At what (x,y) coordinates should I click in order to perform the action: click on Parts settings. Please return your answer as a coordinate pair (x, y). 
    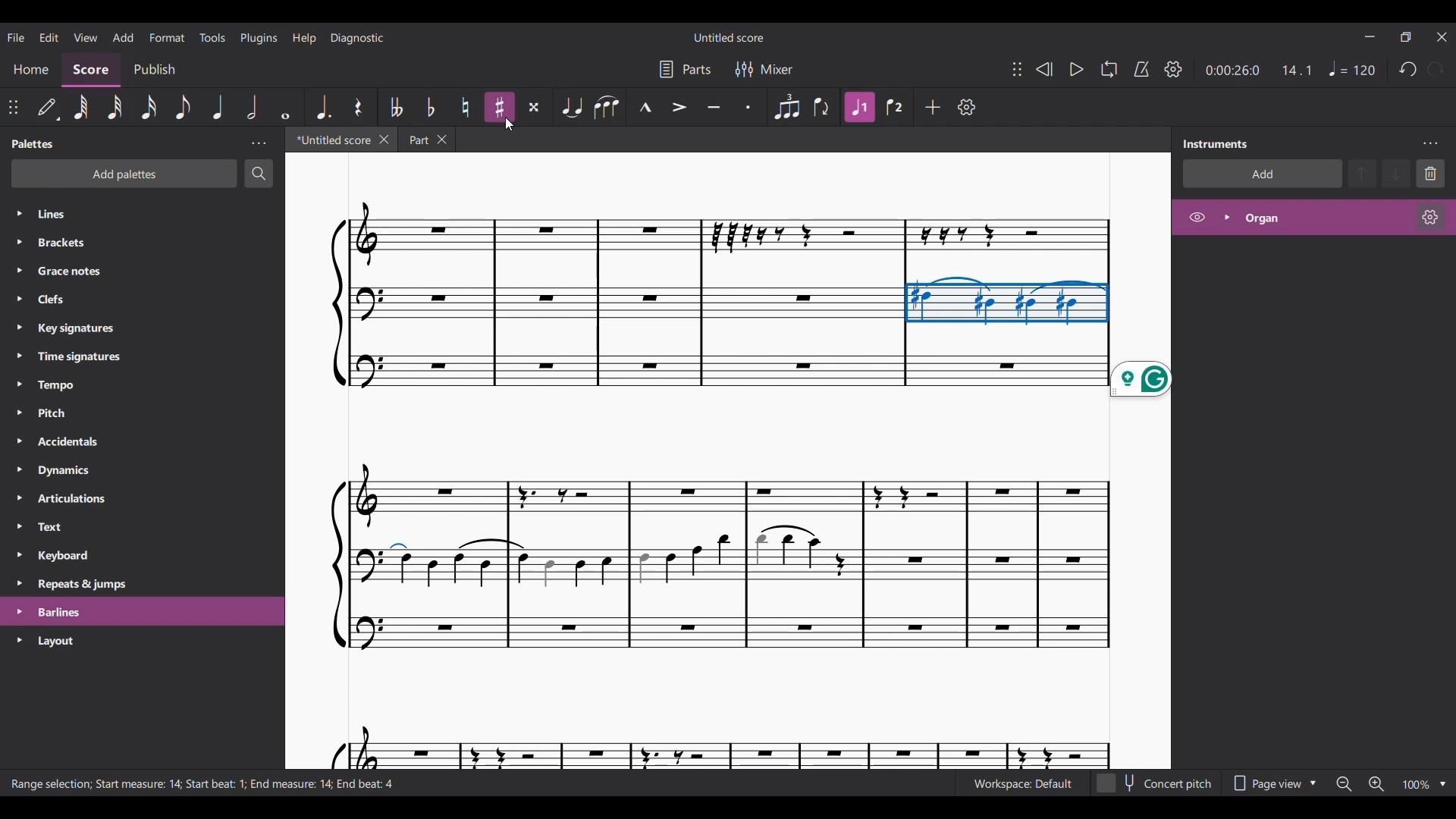
    Looking at the image, I should click on (685, 70).